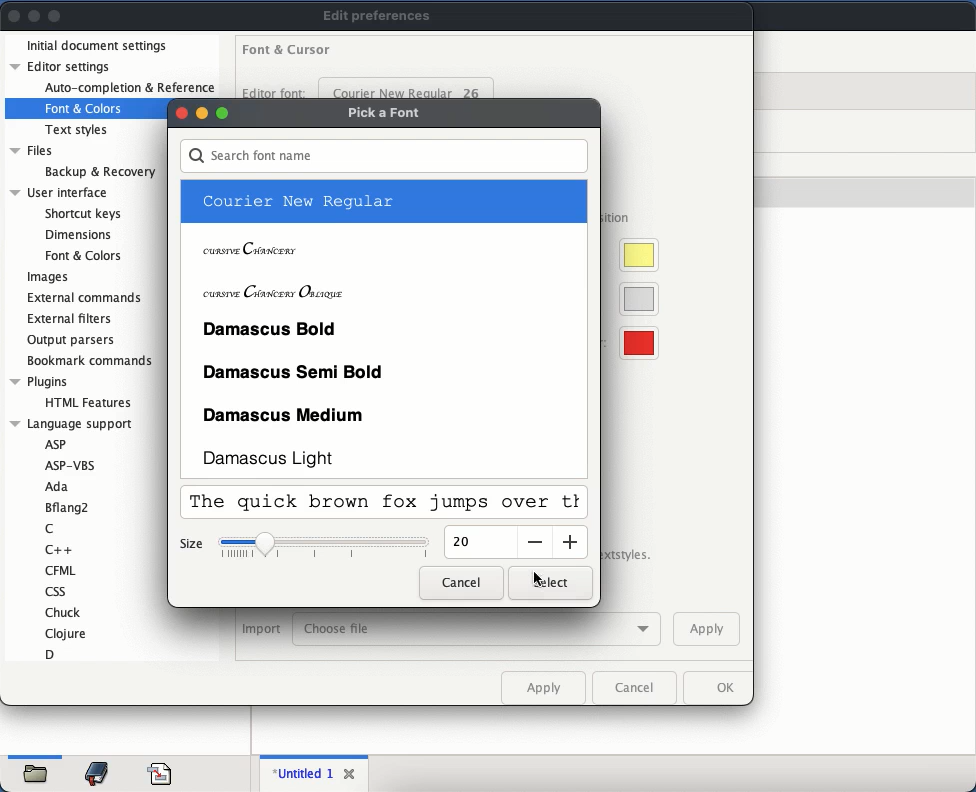  I want to click on Shortcut keys, so click(82, 212).